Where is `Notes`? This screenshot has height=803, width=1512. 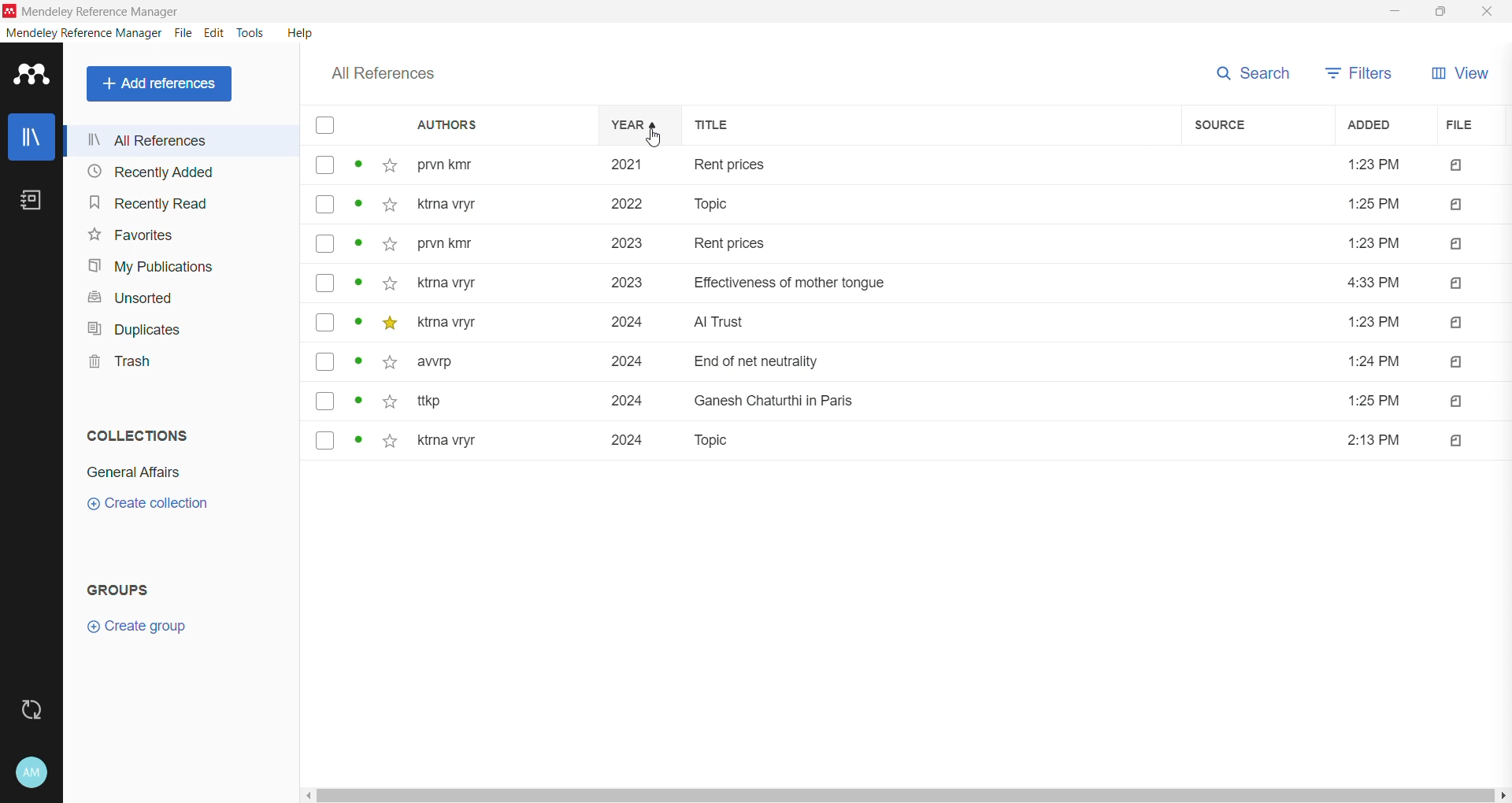
Notes is located at coordinates (36, 203).